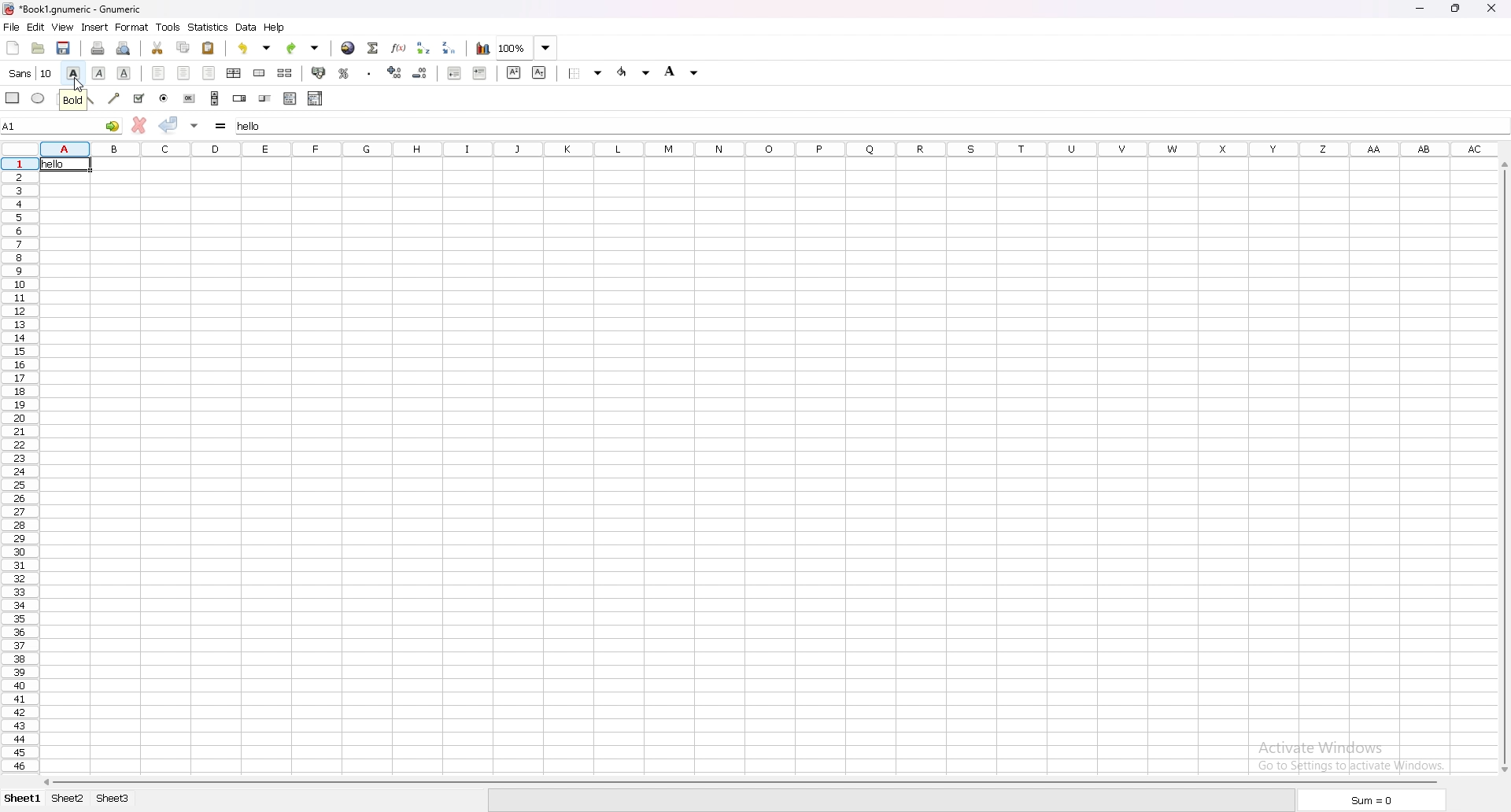 The image size is (1511, 812). I want to click on font, so click(31, 72).